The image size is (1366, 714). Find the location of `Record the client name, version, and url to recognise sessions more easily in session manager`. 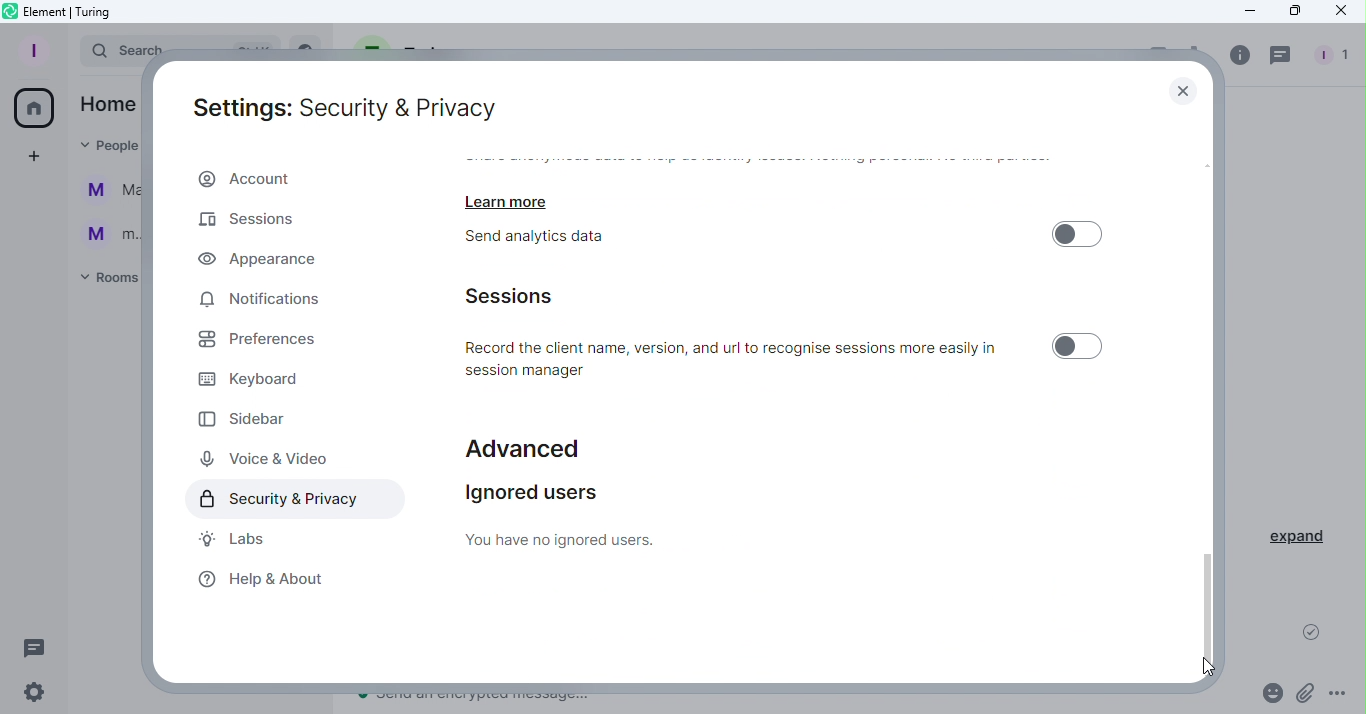

Record the client name, version, and url to recognise sessions more easily in session manager is located at coordinates (737, 357).